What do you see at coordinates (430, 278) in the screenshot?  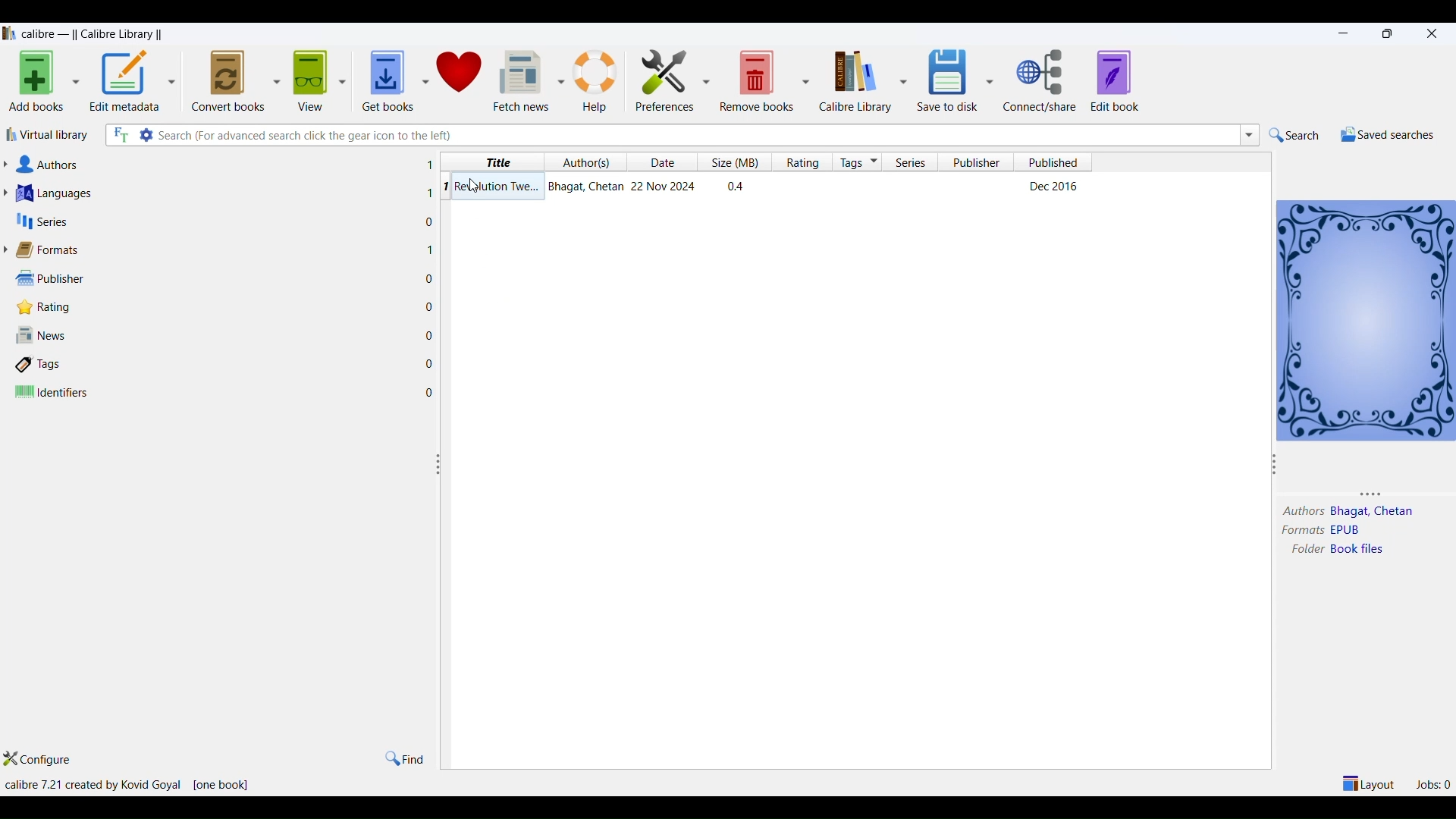 I see `0` at bounding box center [430, 278].